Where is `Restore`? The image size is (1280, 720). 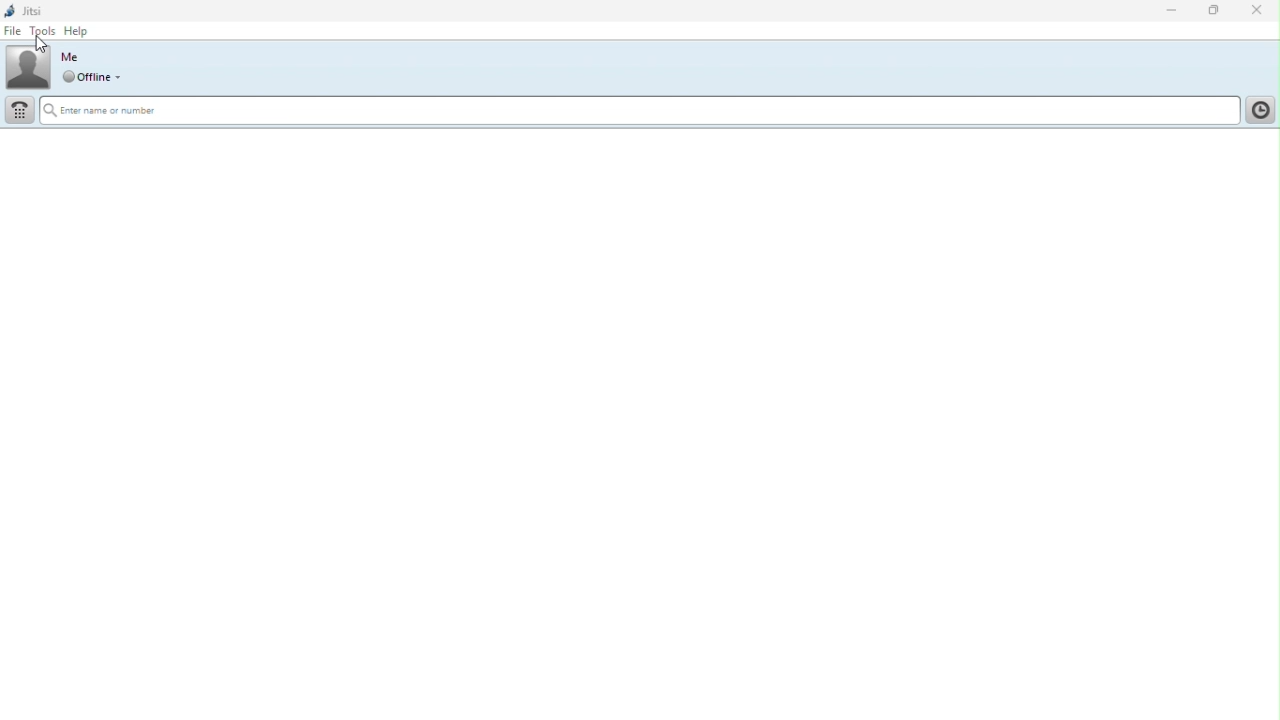 Restore is located at coordinates (1215, 12).